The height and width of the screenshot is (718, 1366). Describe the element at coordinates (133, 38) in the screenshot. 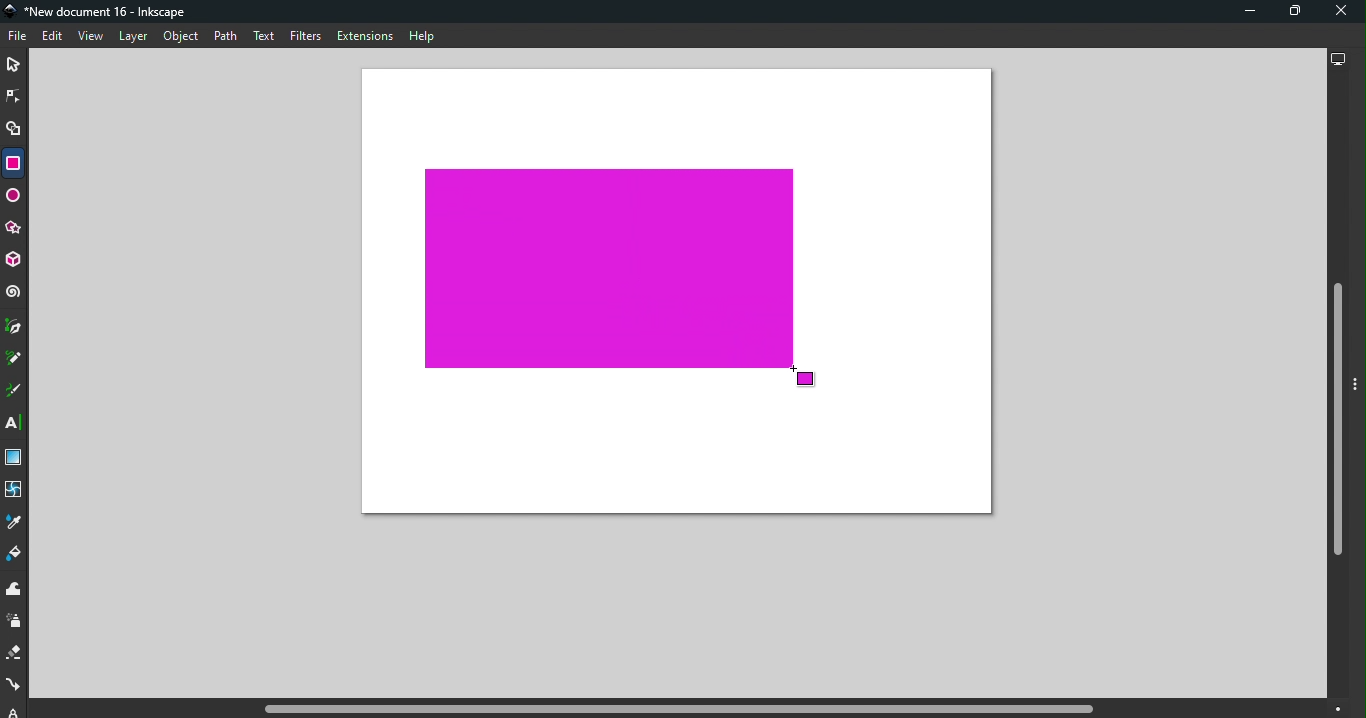

I see `Layer` at that location.